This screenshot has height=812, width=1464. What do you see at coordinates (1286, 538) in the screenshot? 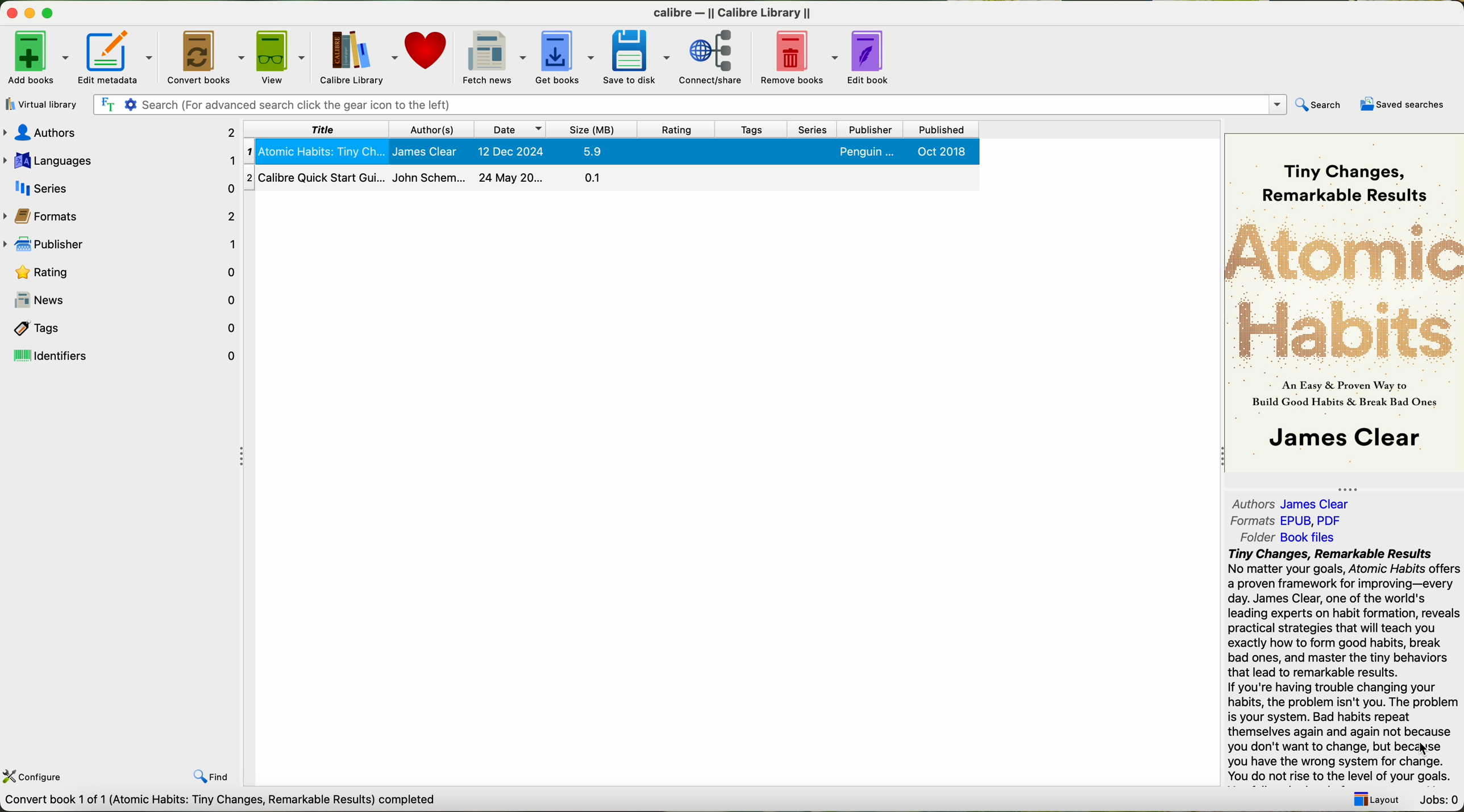
I see `folder` at bounding box center [1286, 538].